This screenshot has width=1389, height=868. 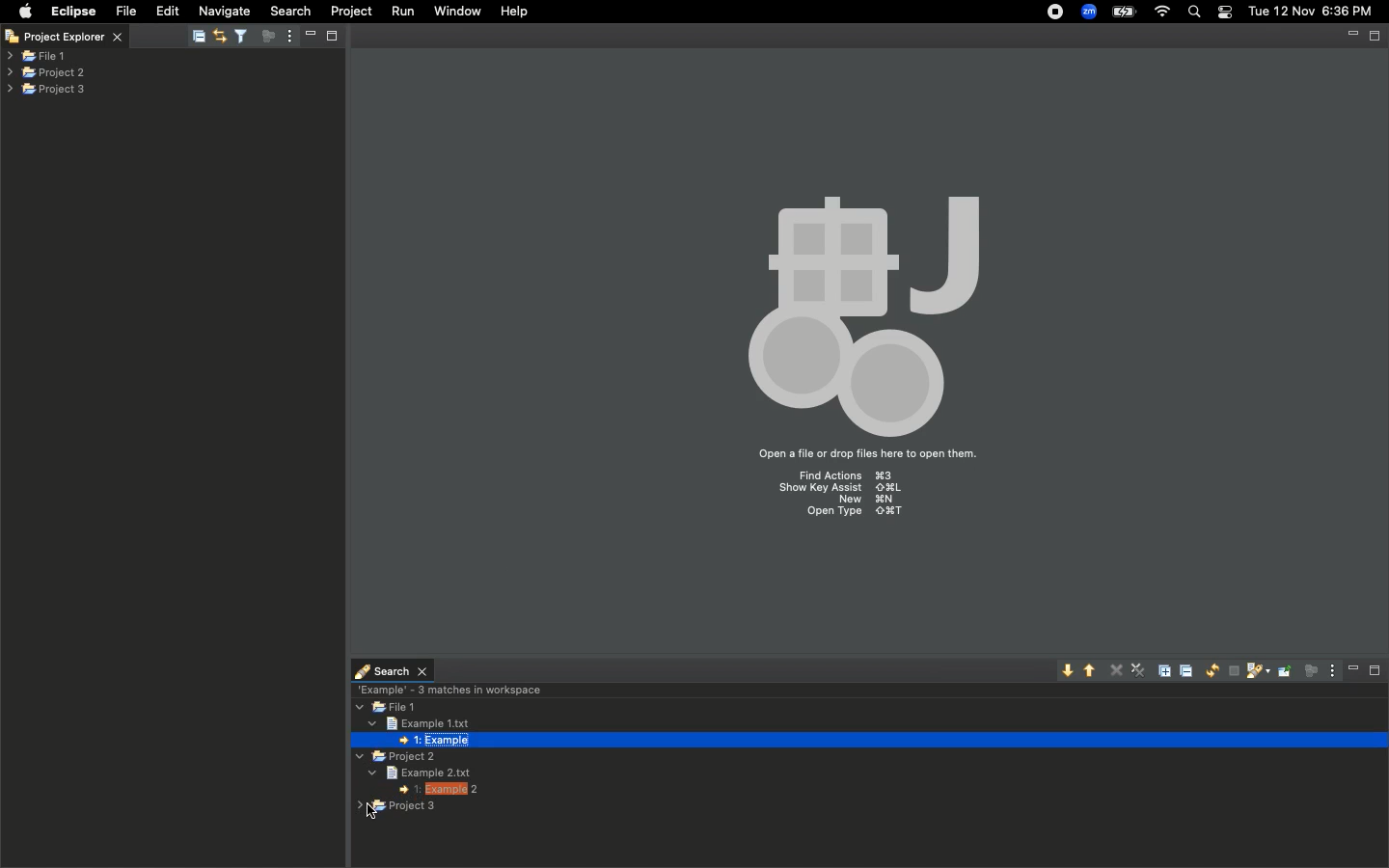 I want to click on Collapse all, so click(x=199, y=38).